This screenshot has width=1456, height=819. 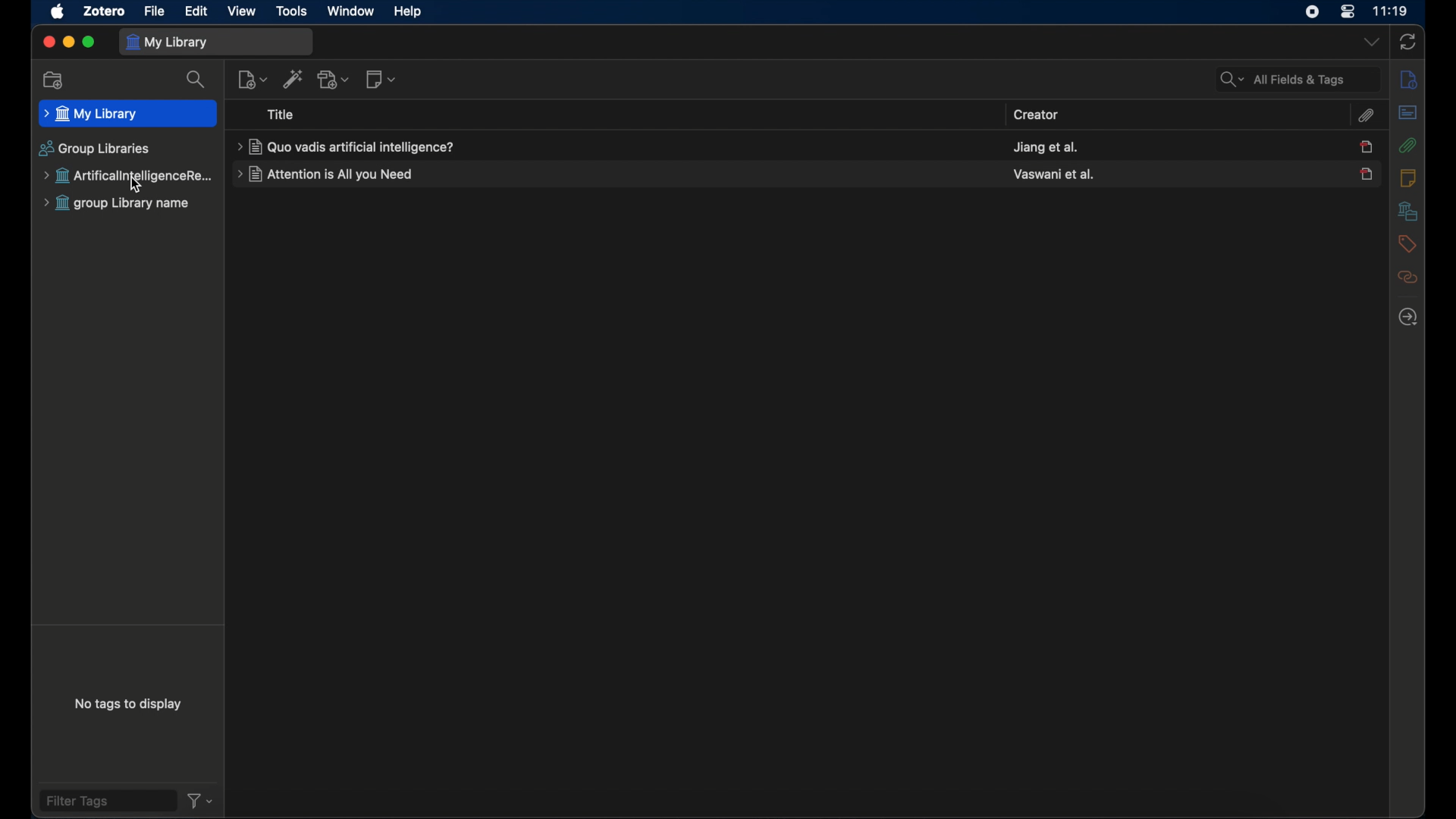 What do you see at coordinates (1056, 173) in the screenshot?
I see `creator` at bounding box center [1056, 173].